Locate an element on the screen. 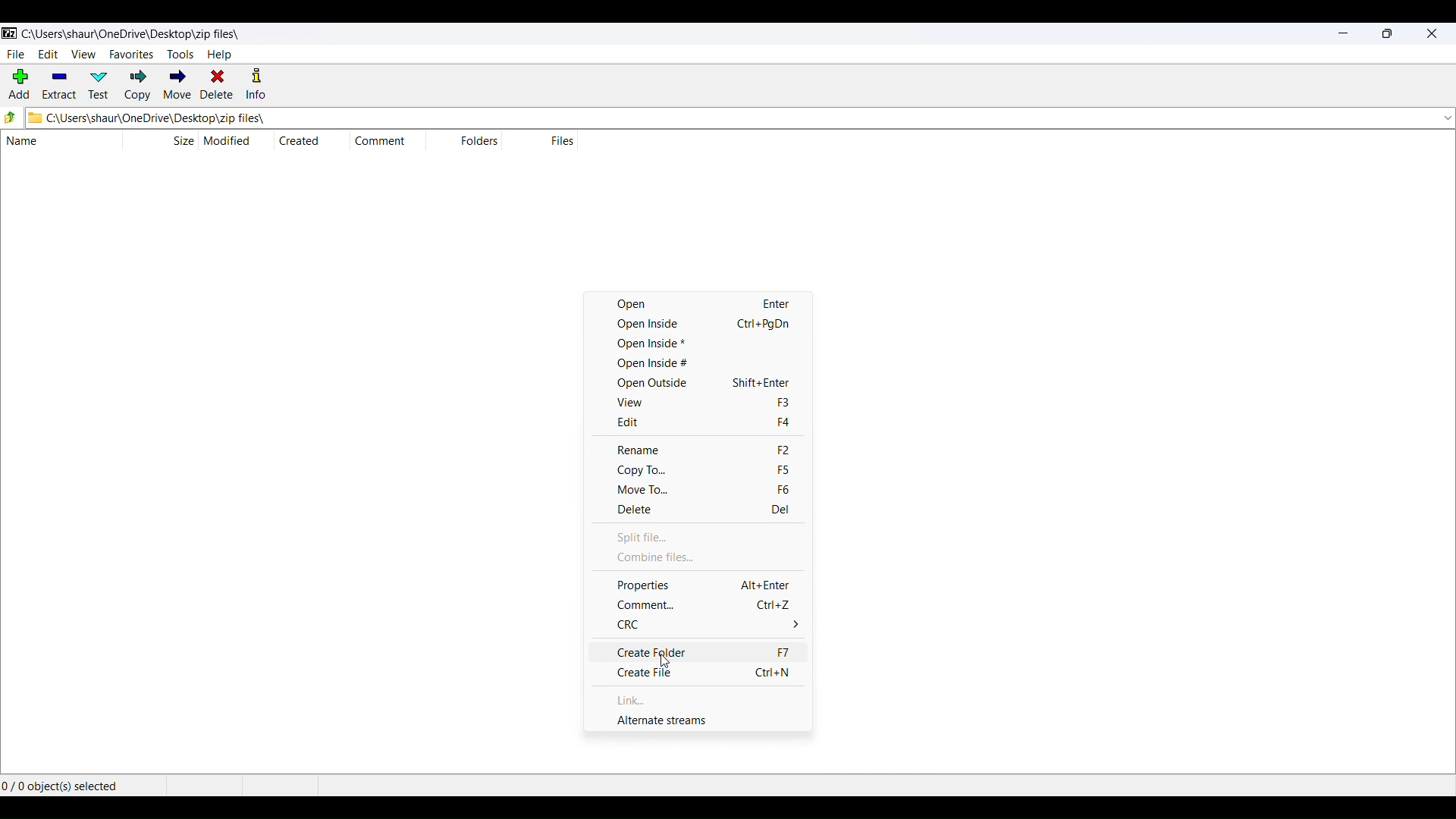 Image resolution: width=1456 pixels, height=819 pixels. HELP is located at coordinates (220, 55).